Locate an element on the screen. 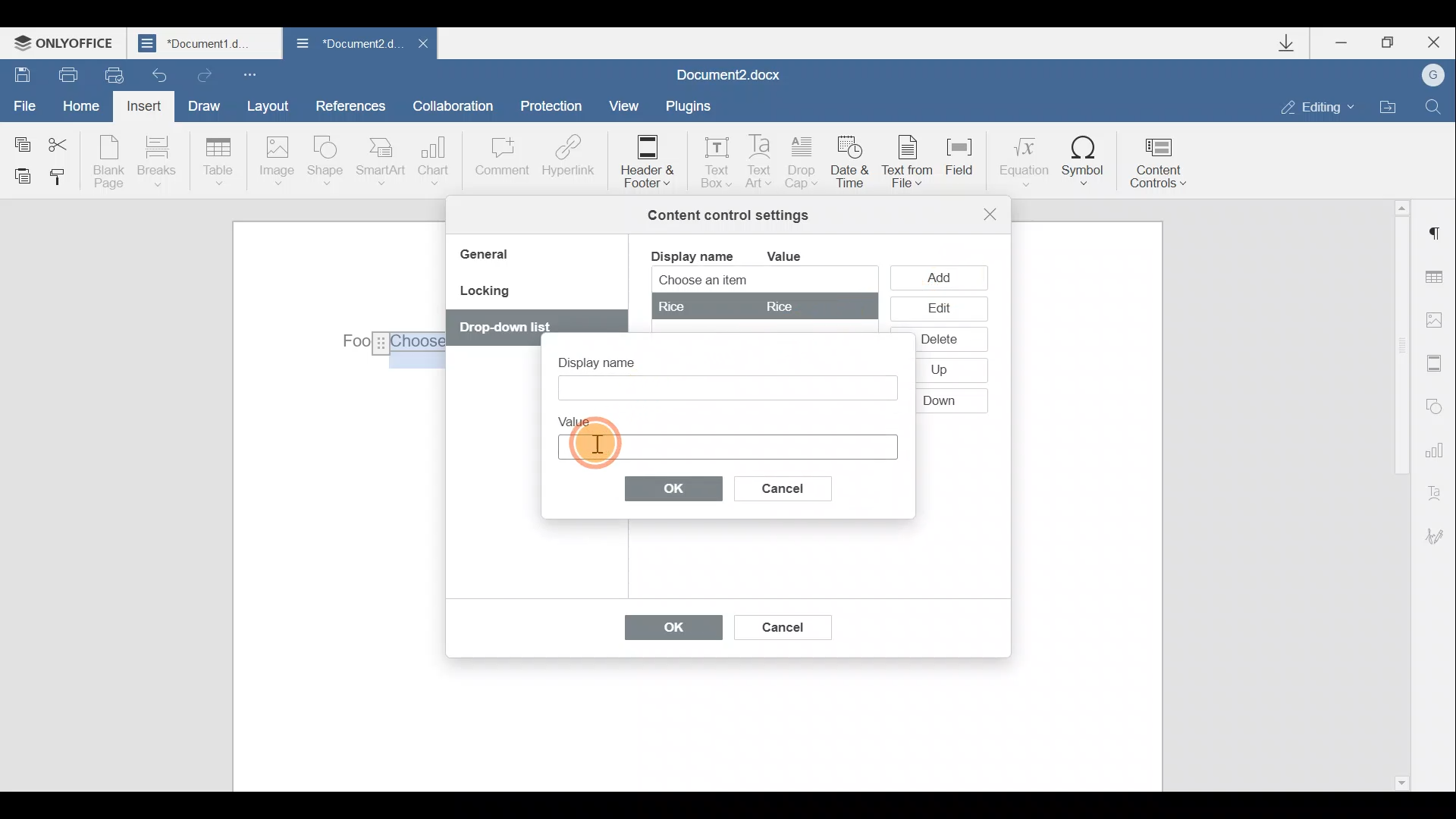 This screenshot has height=819, width=1456. Signature settings is located at coordinates (1441, 536).